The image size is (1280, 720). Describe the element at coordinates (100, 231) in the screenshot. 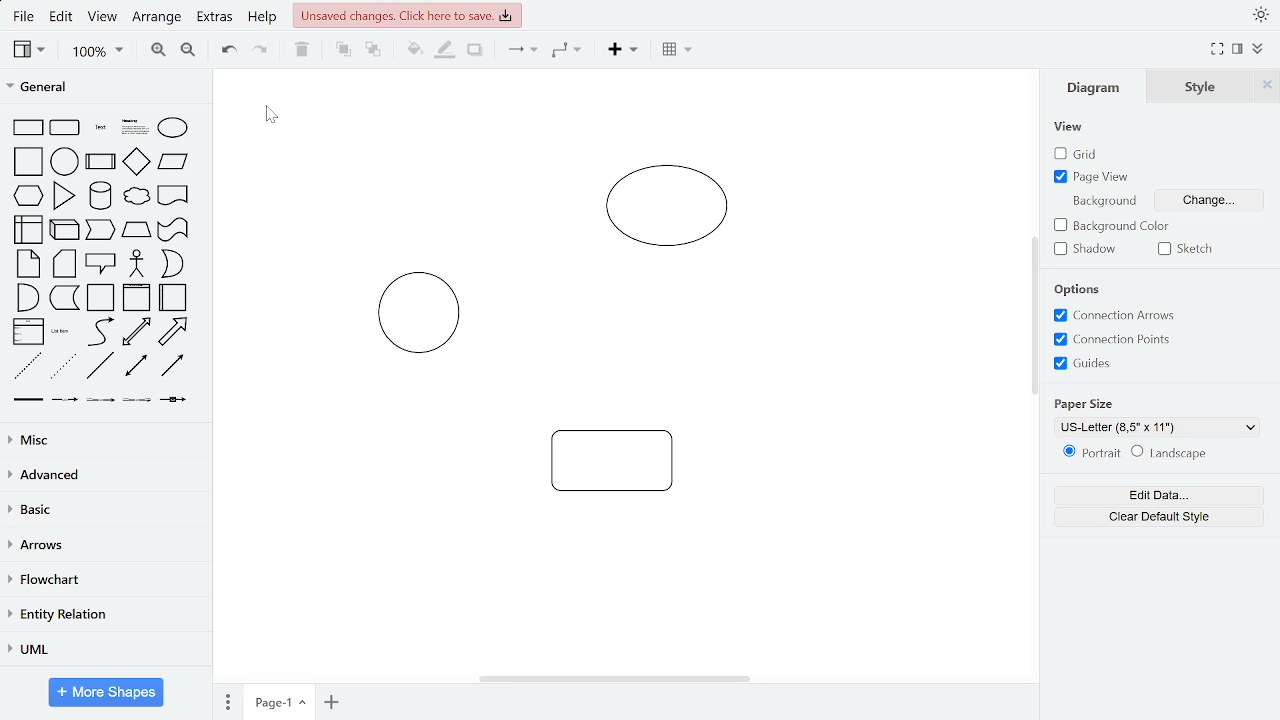

I see `step` at that location.